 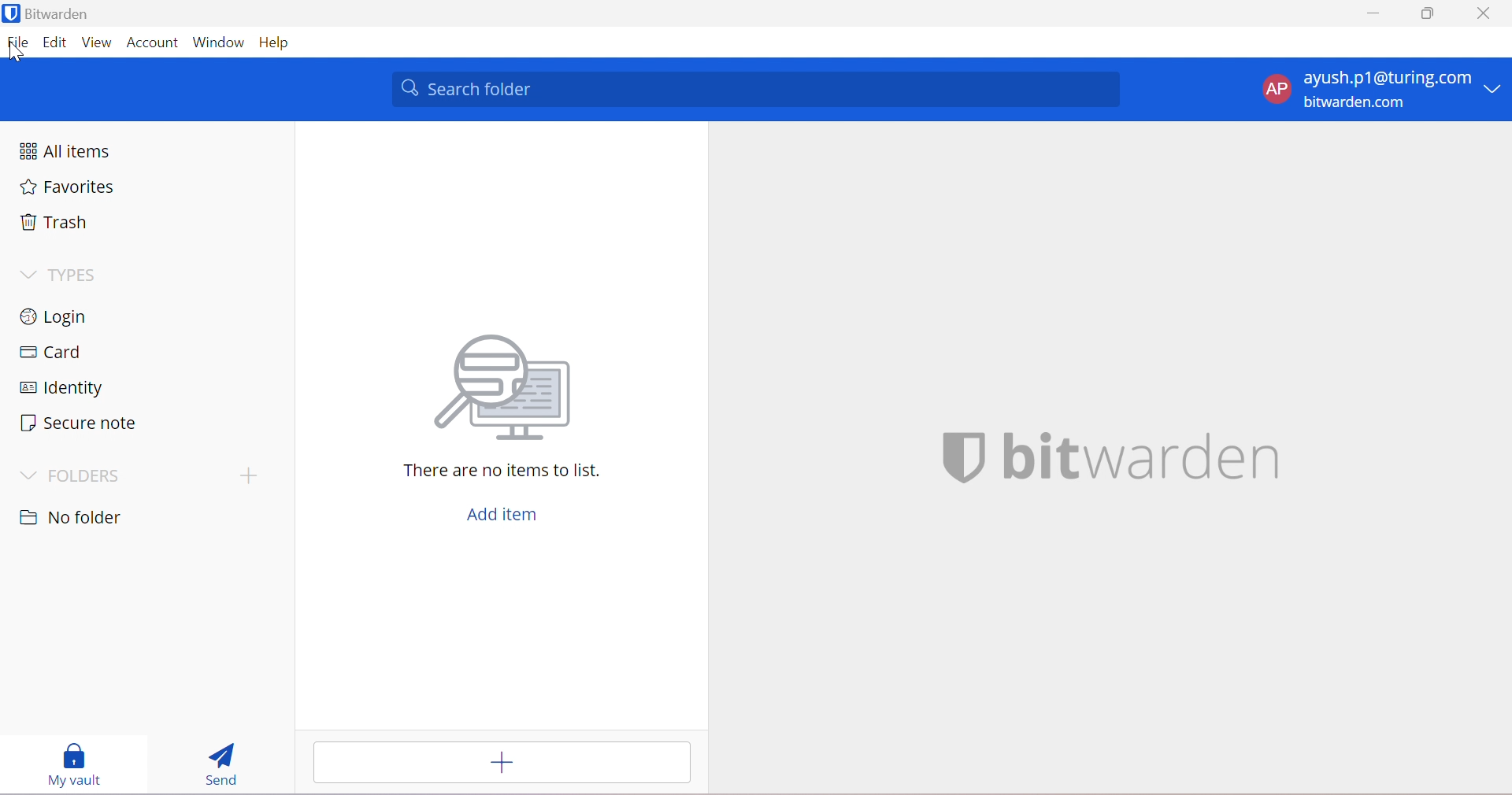 I want to click on cursor, so click(x=16, y=54).